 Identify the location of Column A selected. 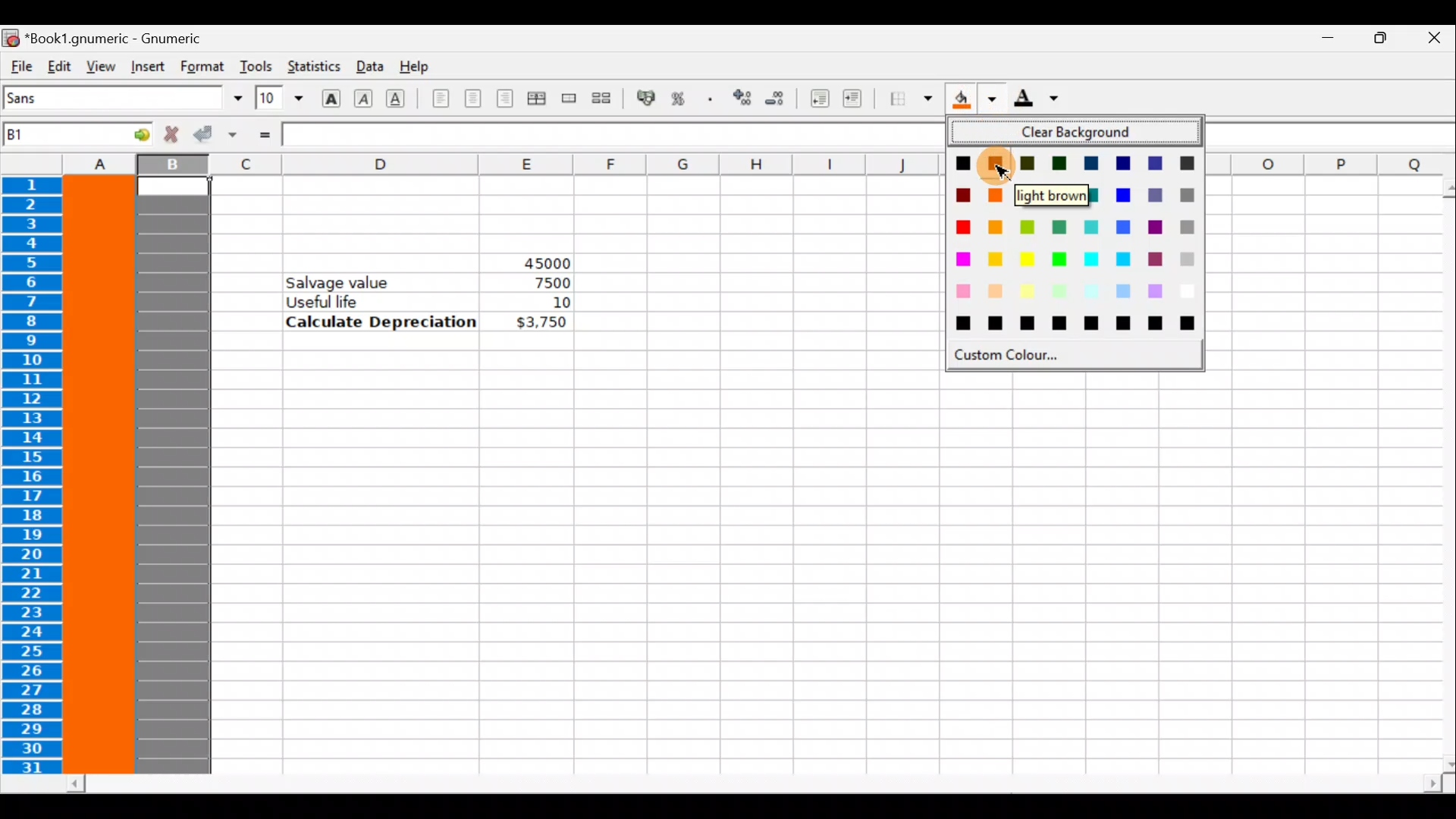
(100, 475).